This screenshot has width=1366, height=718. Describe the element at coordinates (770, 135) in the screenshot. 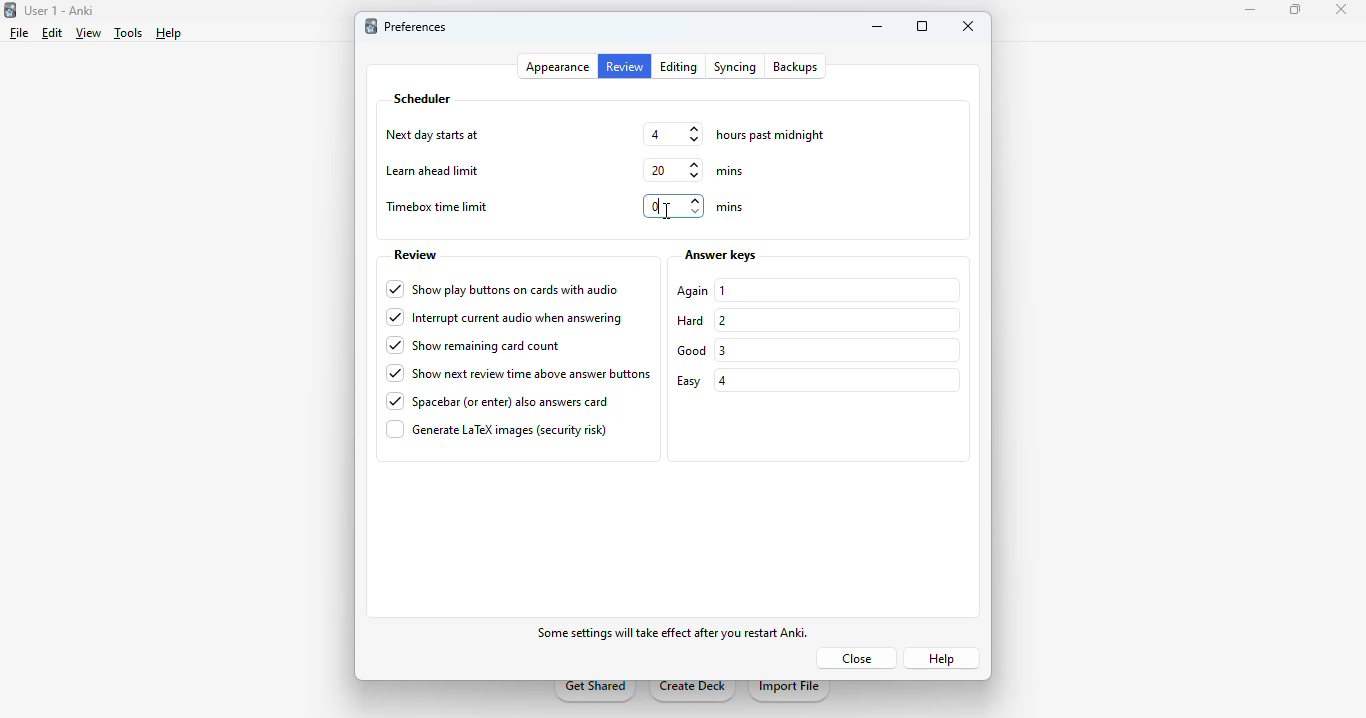

I see `hours past midnight` at that location.